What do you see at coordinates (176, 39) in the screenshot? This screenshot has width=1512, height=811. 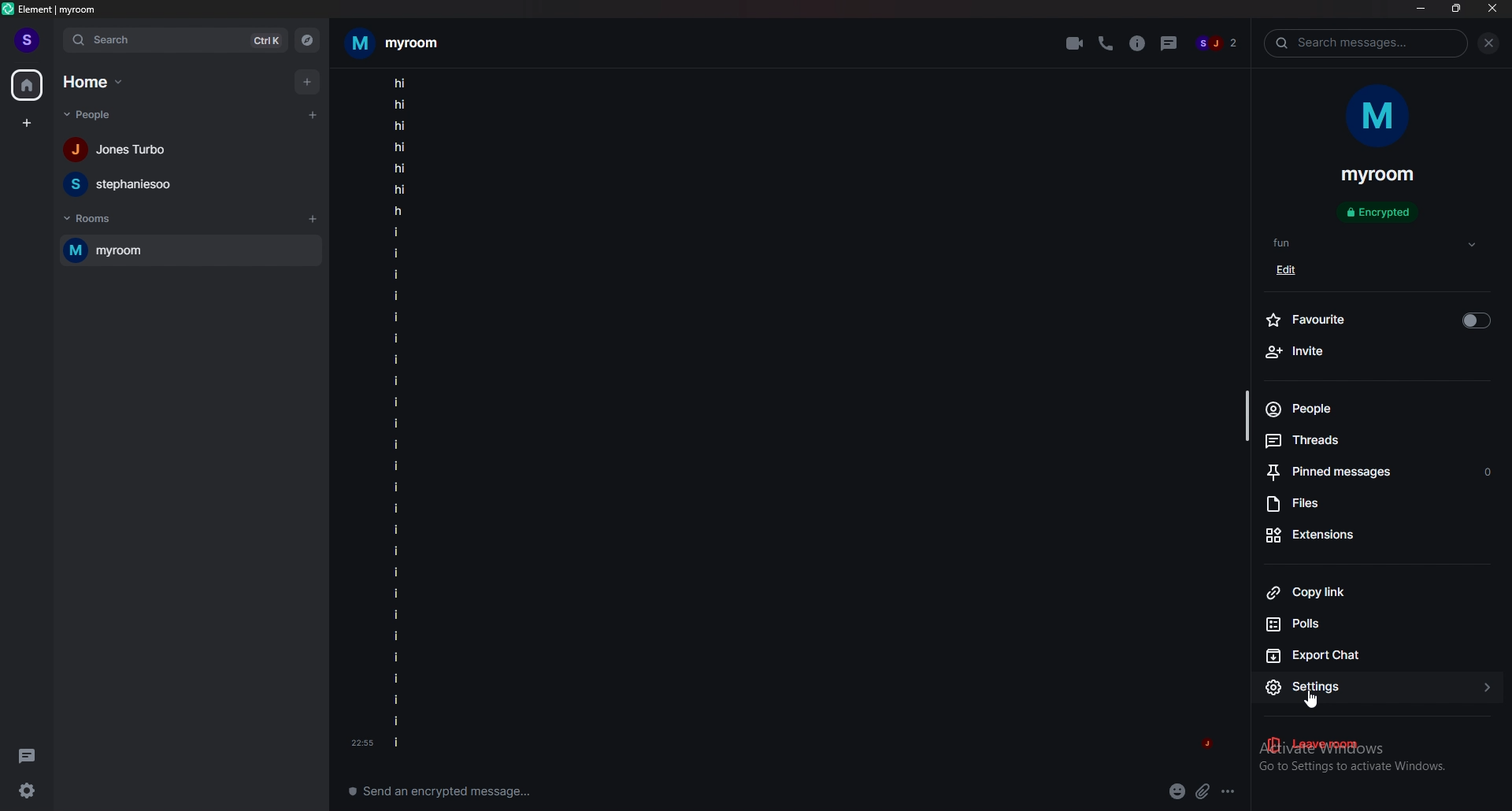 I see `search bar` at bounding box center [176, 39].